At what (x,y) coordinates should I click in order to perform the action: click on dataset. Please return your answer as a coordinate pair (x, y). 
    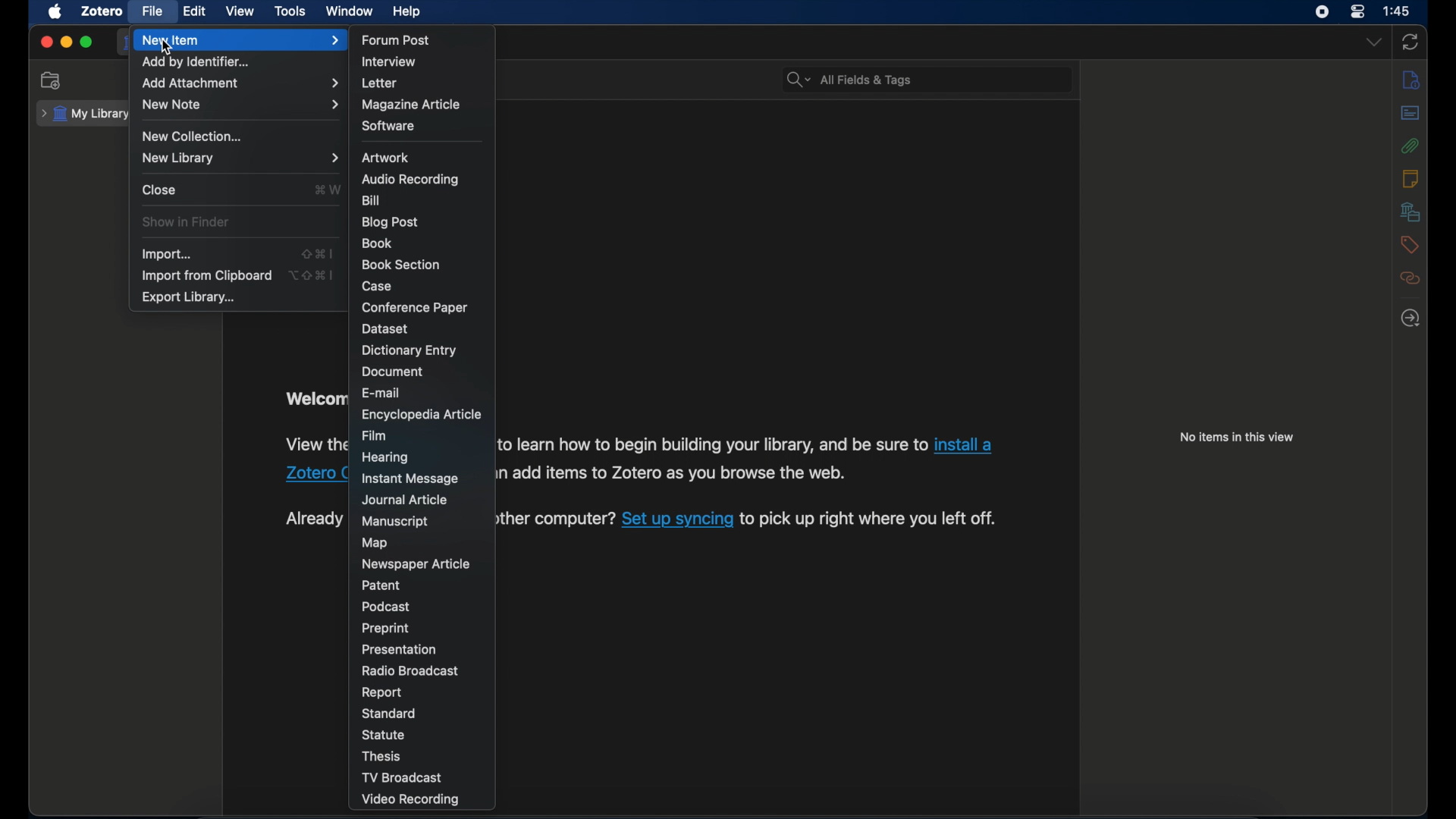
    Looking at the image, I should click on (388, 328).